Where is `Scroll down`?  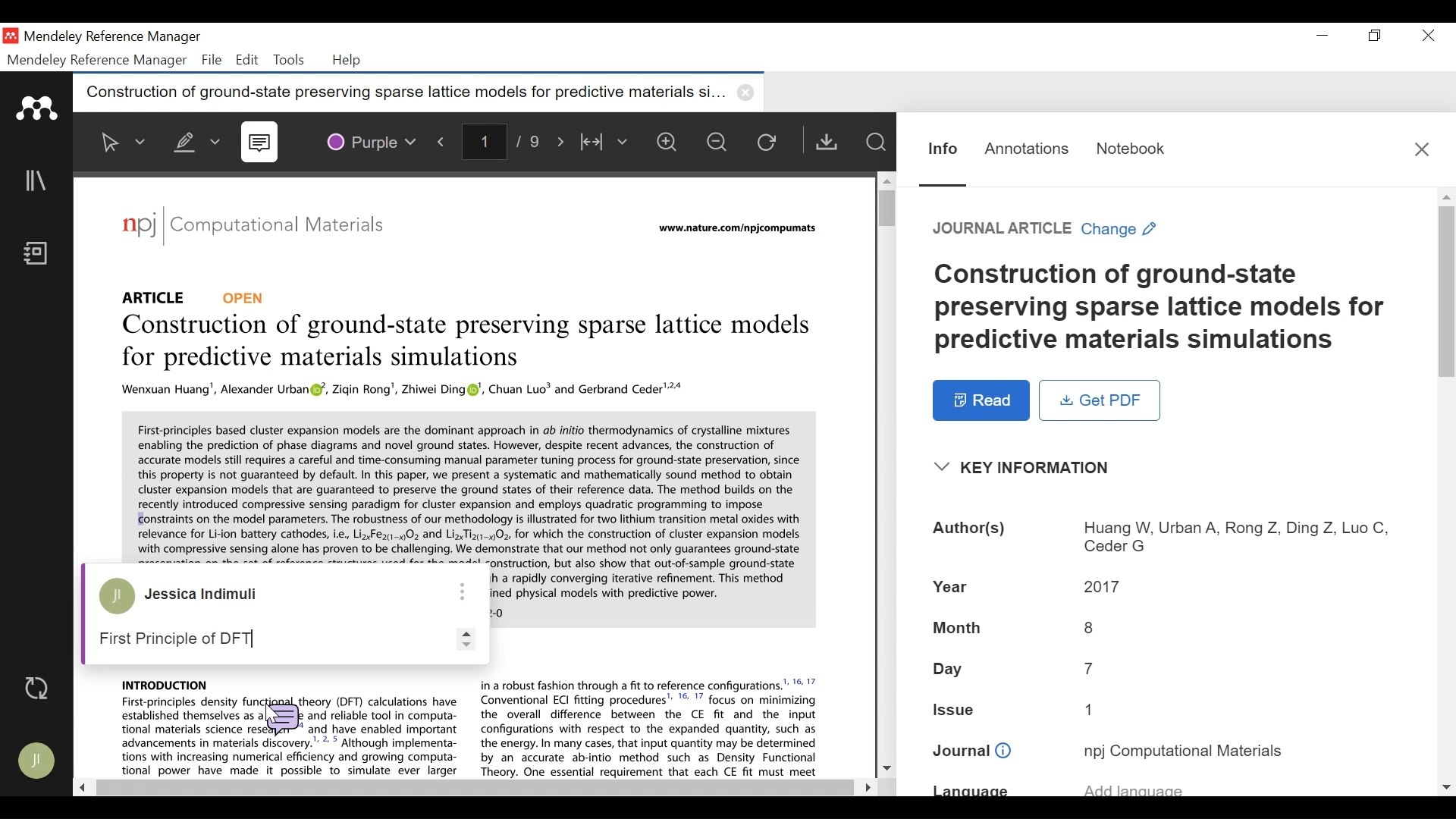 Scroll down is located at coordinates (886, 769).